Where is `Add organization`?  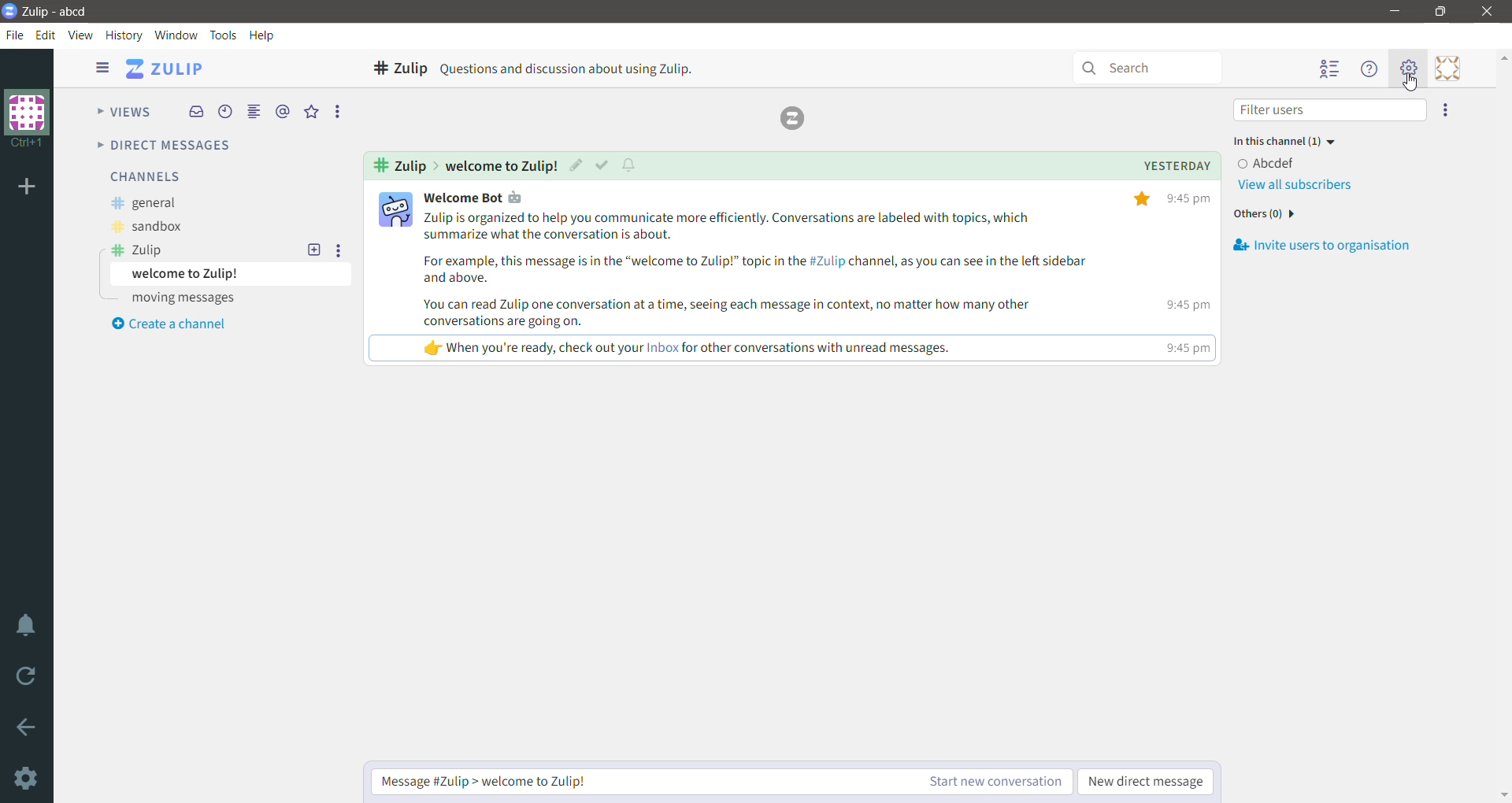 Add organization is located at coordinates (30, 187).